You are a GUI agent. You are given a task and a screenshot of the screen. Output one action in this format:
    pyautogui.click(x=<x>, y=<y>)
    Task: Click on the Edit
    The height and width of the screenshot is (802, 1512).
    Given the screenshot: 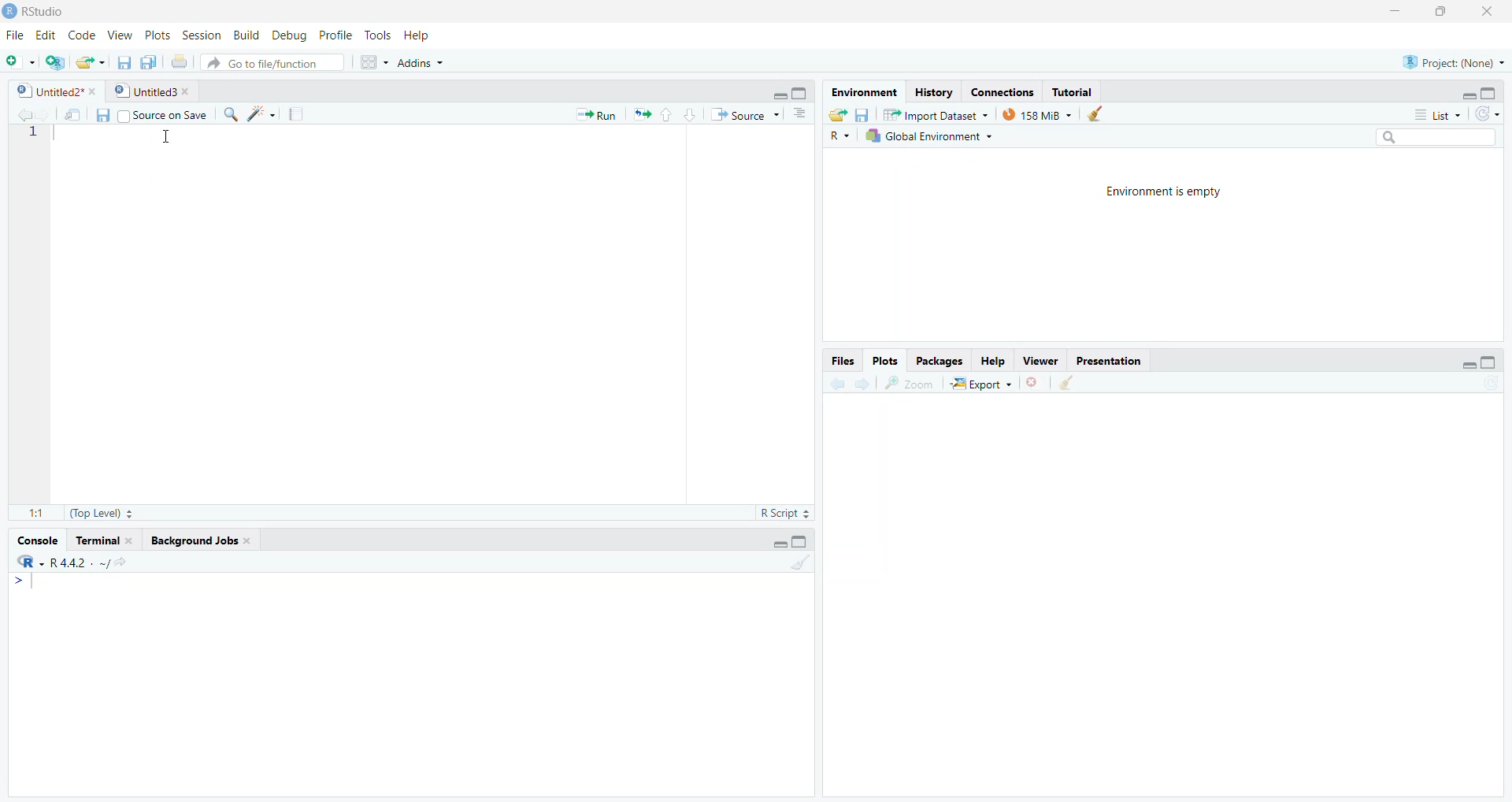 What is the action you would take?
    pyautogui.click(x=46, y=35)
    